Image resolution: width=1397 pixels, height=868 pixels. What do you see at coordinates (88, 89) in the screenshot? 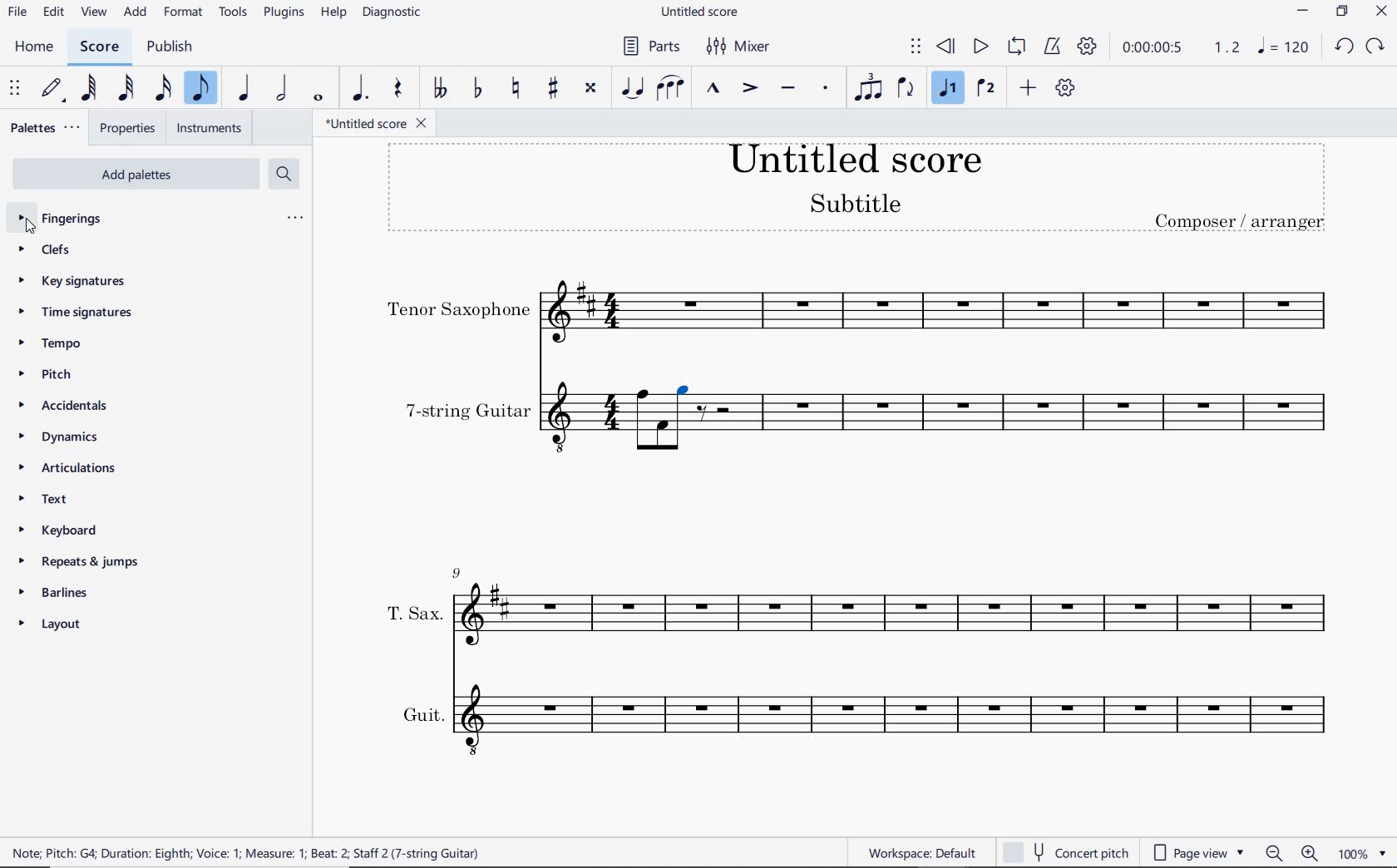
I see `64TH NOTE` at bounding box center [88, 89].